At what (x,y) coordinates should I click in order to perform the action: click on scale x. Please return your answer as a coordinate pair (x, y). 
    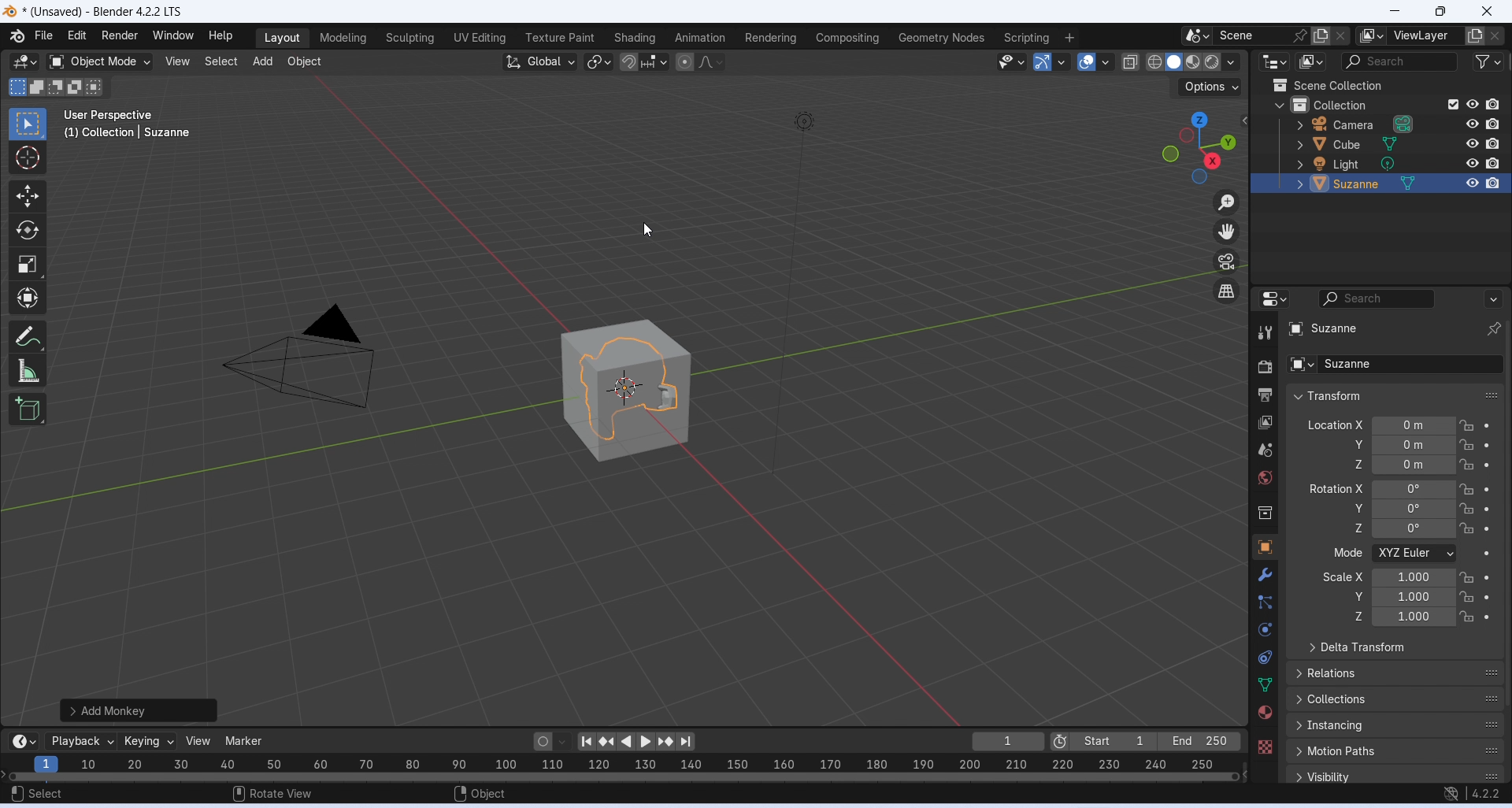
    Looking at the image, I should click on (1341, 576).